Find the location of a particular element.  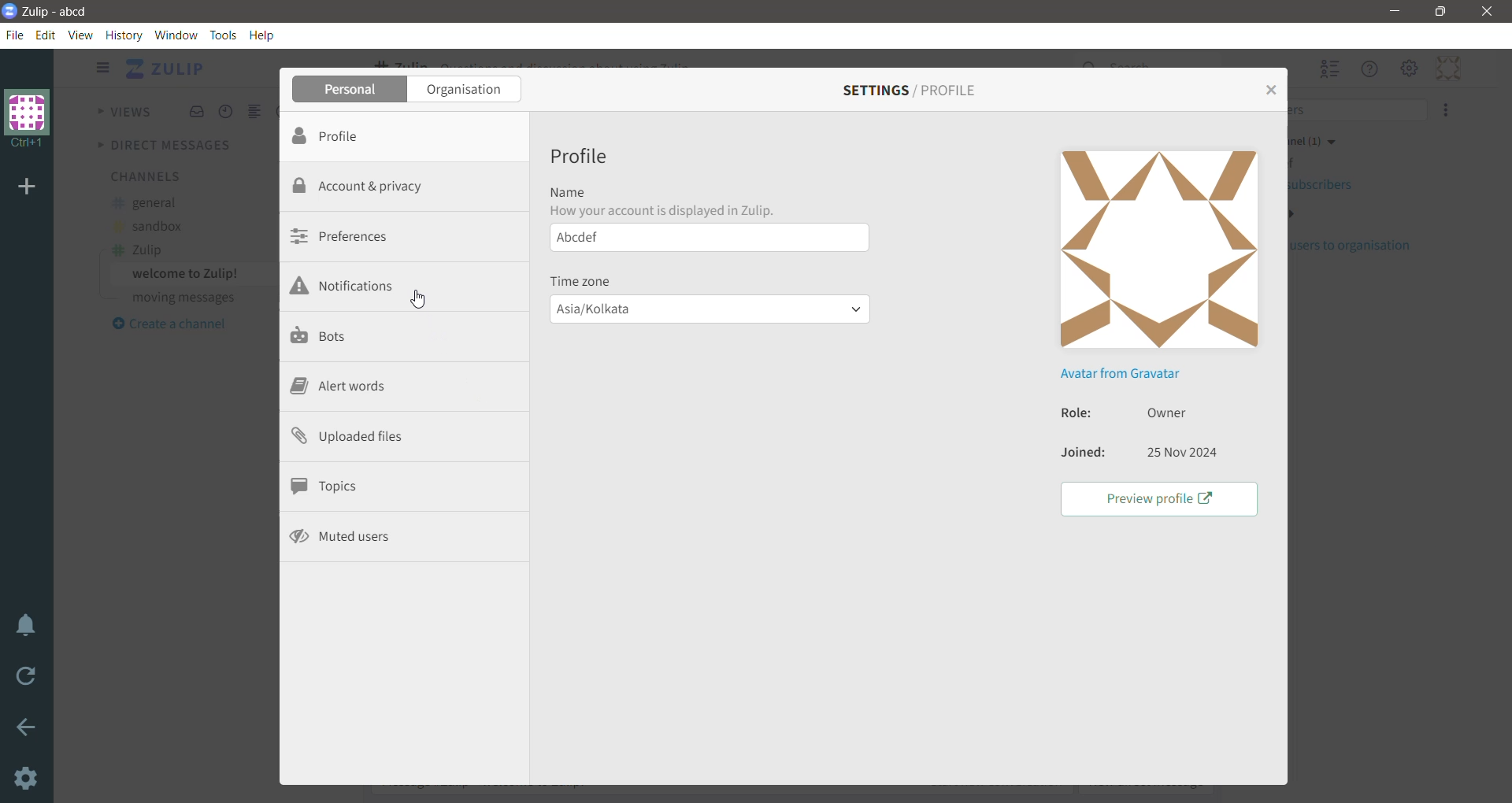

Settings/Profile is located at coordinates (909, 90).